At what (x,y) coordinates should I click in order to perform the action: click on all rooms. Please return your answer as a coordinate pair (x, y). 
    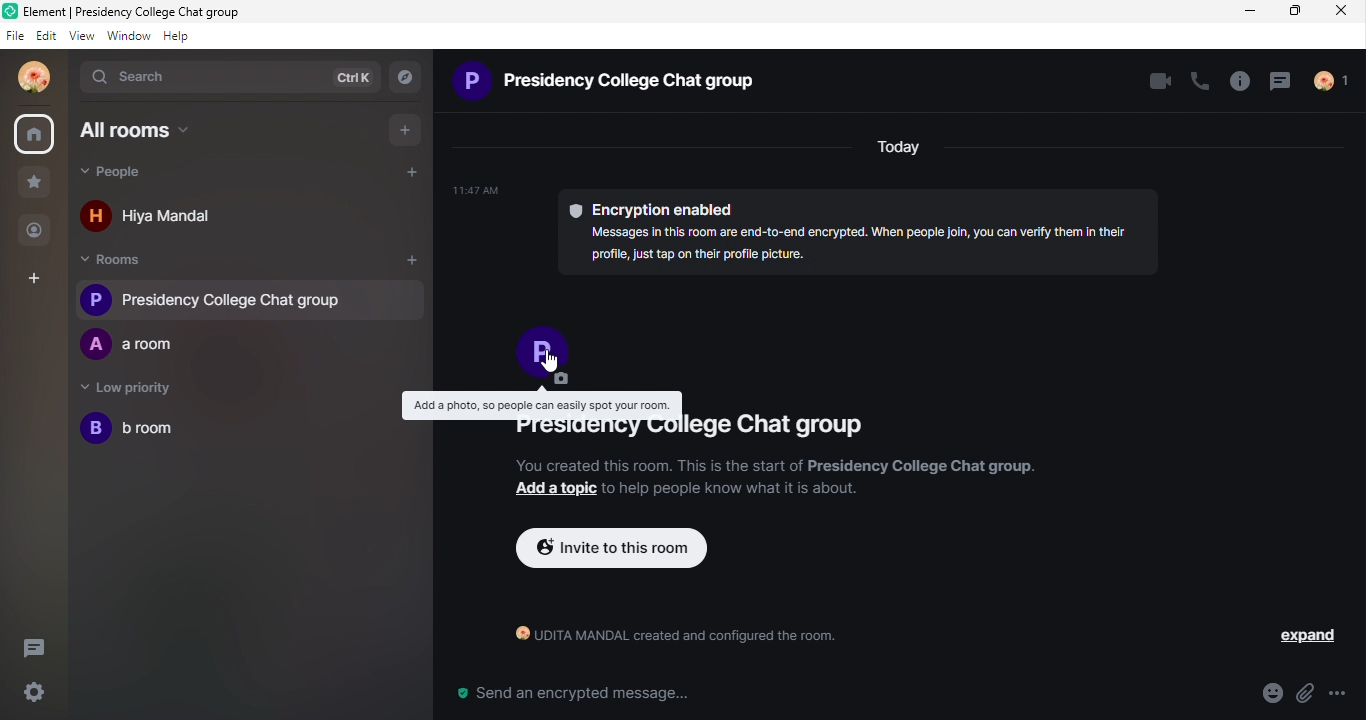
    Looking at the image, I should click on (144, 137).